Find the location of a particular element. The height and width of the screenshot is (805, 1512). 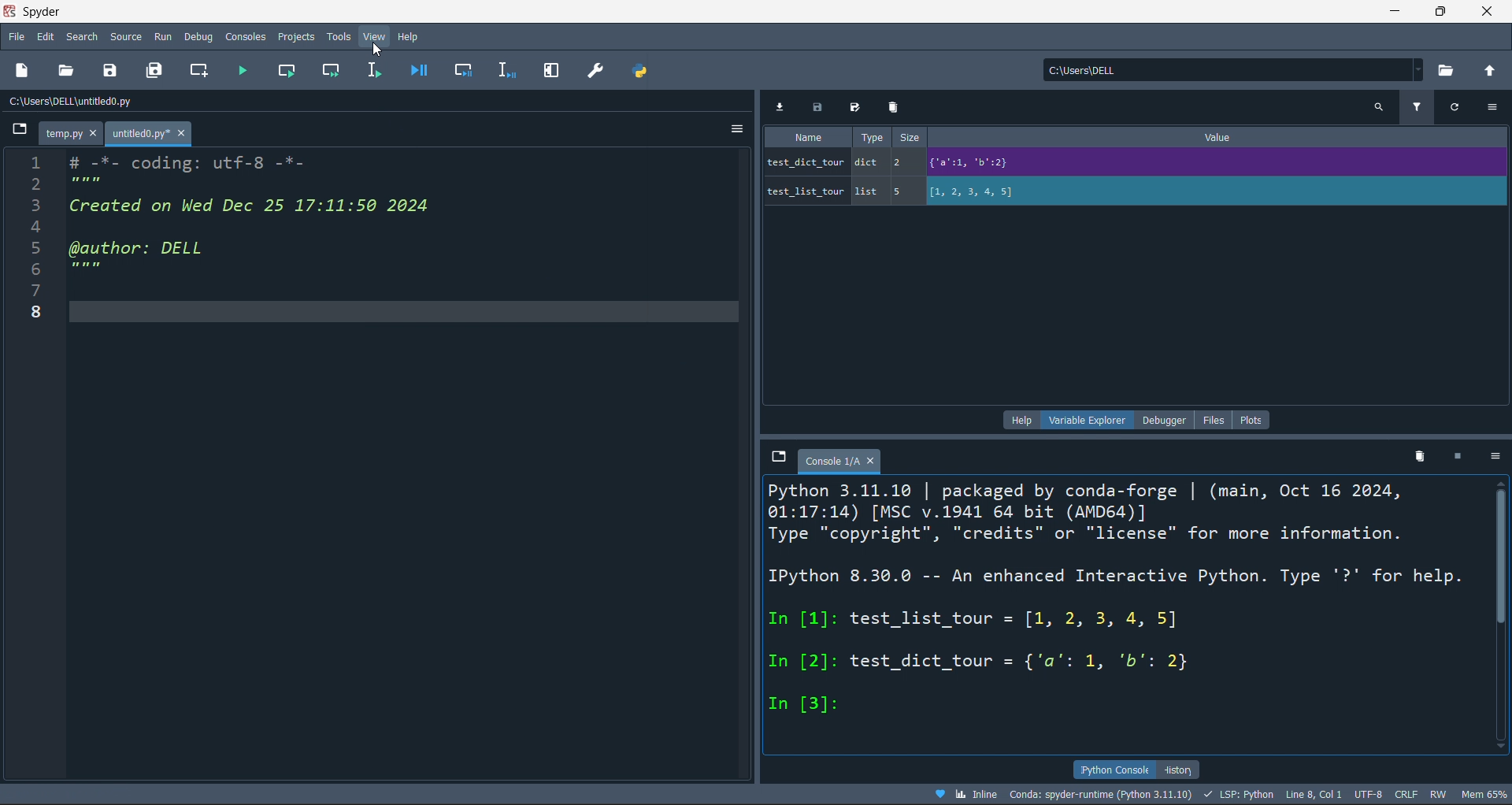

file data is located at coordinates (758, 794).